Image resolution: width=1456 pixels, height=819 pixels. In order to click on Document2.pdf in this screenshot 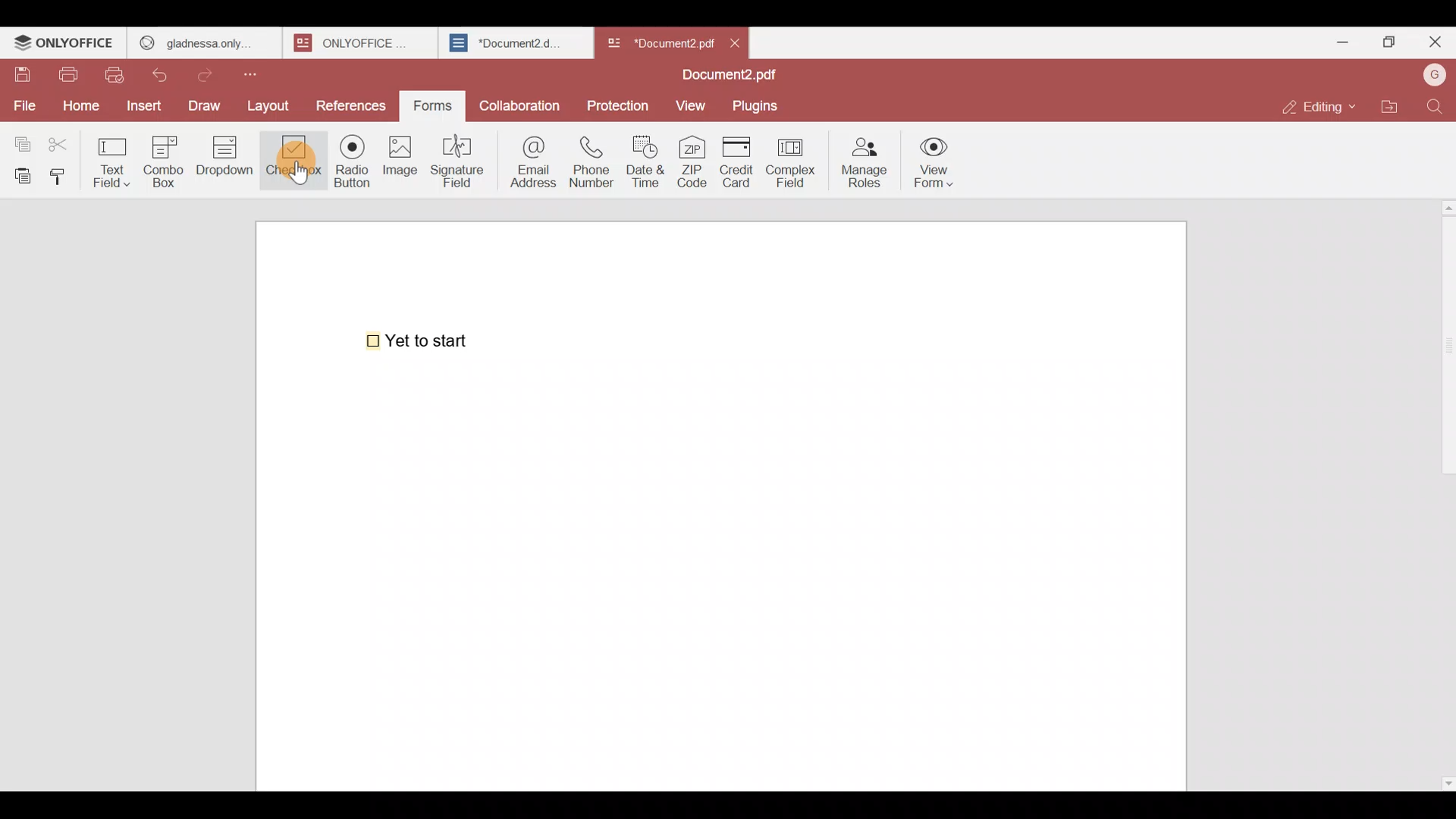, I will do `click(725, 77)`.